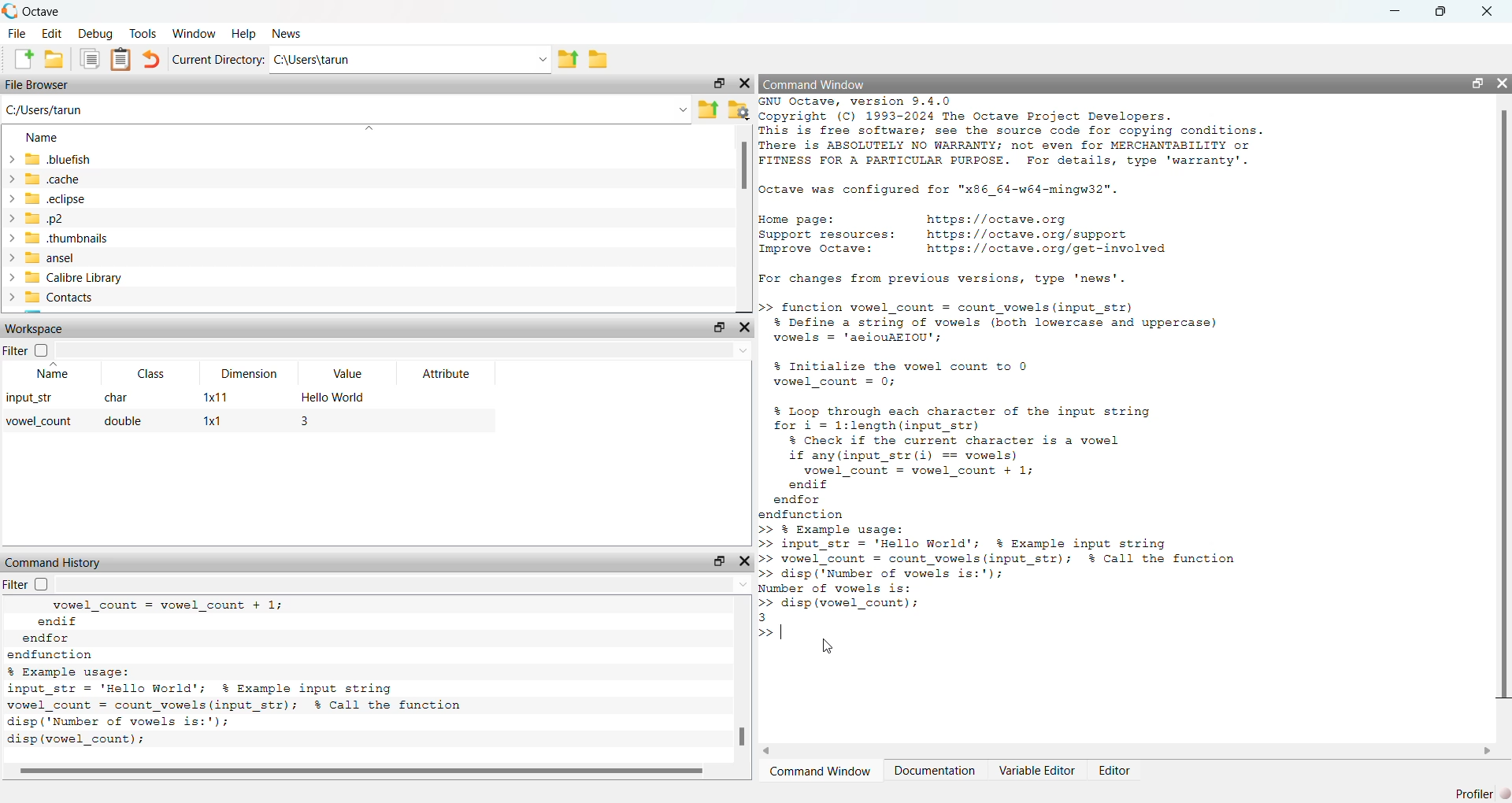 This screenshot has width=1512, height=803. Describe the element at coordinates (745, 220) in the screenshot. I see `vertical scroll bar` at that location.